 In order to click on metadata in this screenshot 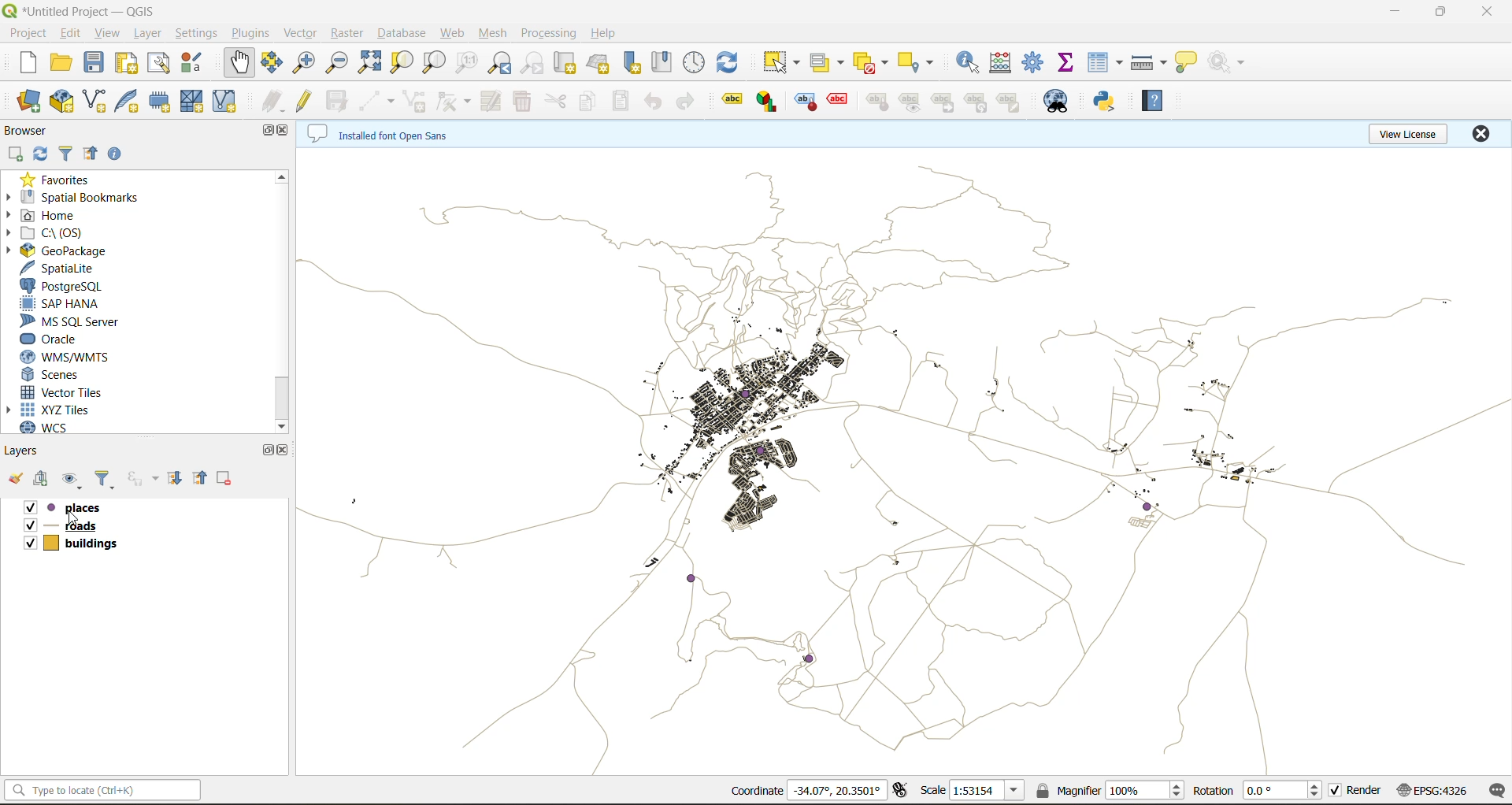, I will do `click(393, 132)`.